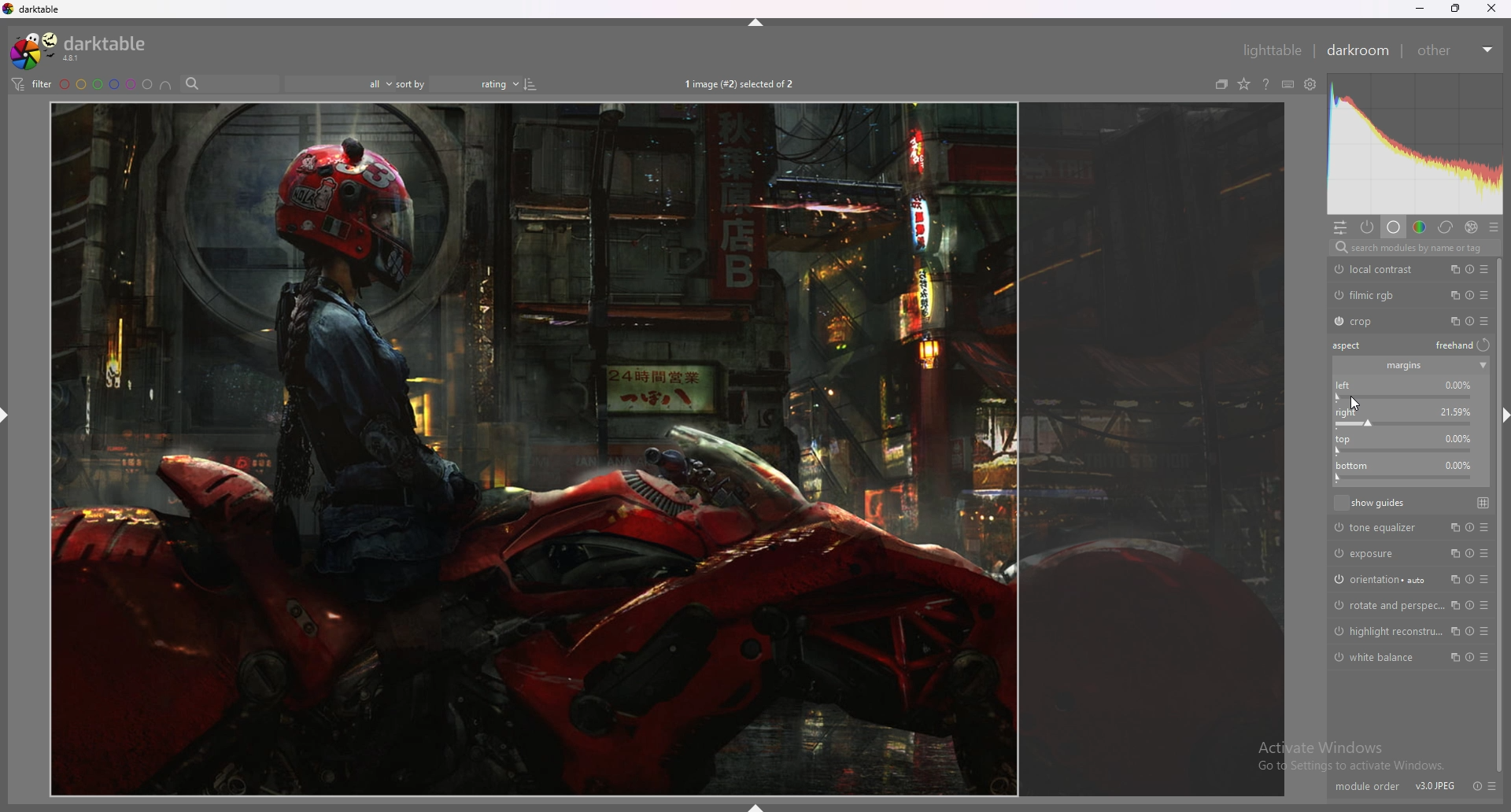 This screenshot has height=812, width=1511. What do you see at coordinates (412, 83) in the screenshot?
I see `sort by` at bounding box center [412, 83].